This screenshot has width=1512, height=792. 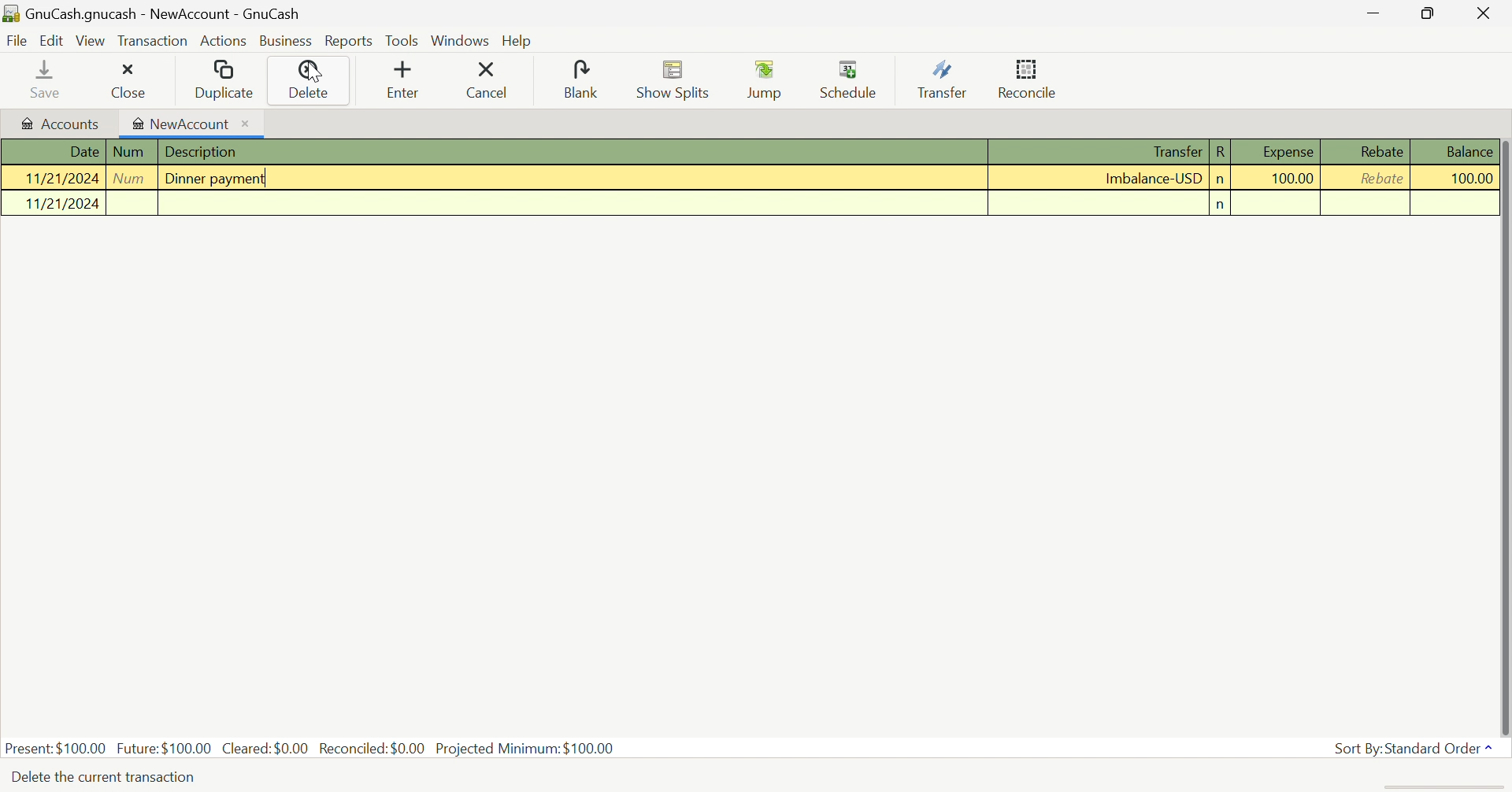 What do you see at coordinates (53, 204) in the screenshot?
I see `11/21/2024` at bounding box center [53, 204].